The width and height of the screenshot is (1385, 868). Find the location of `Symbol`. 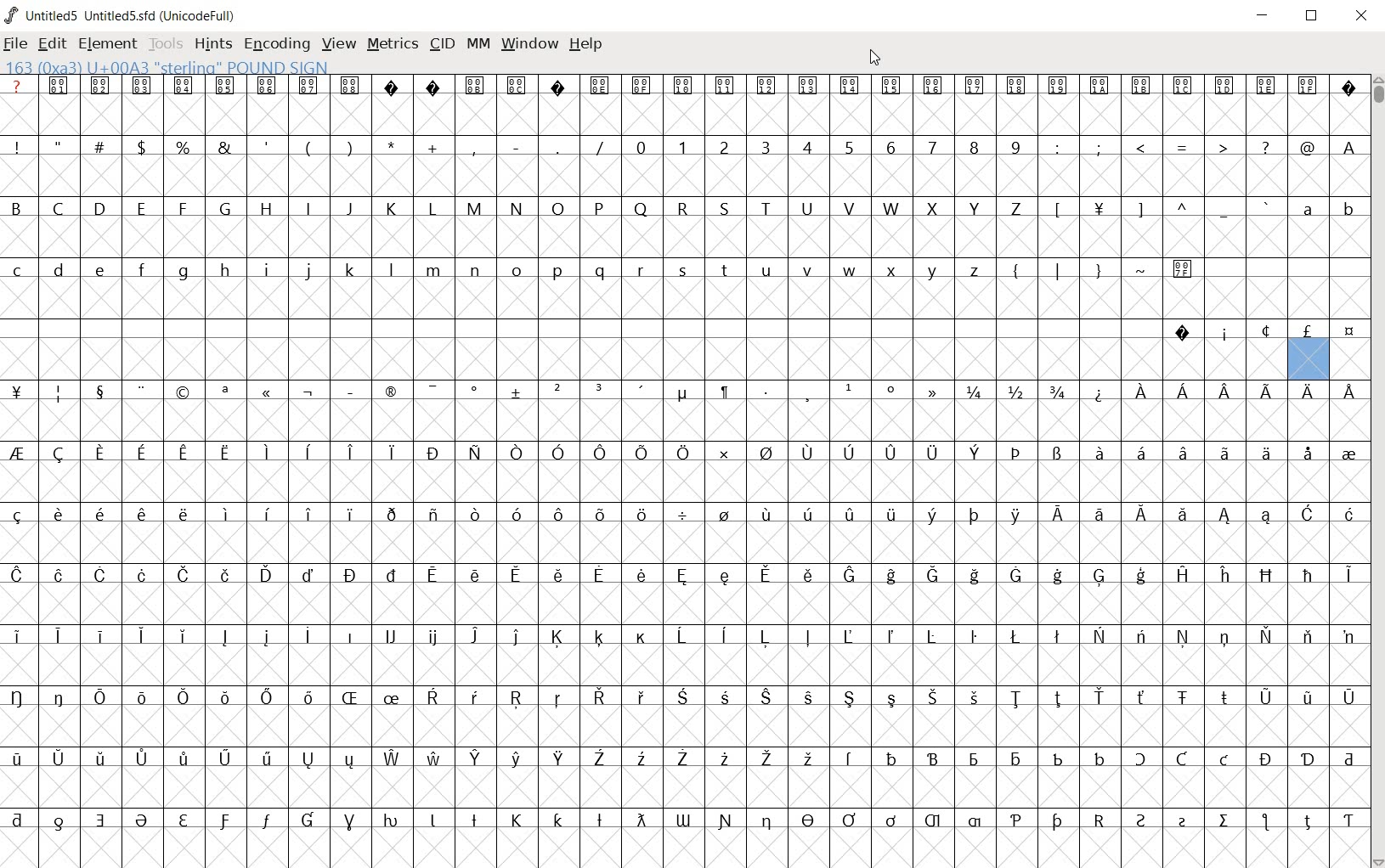

Symbol is located at coordinates (640, 758).